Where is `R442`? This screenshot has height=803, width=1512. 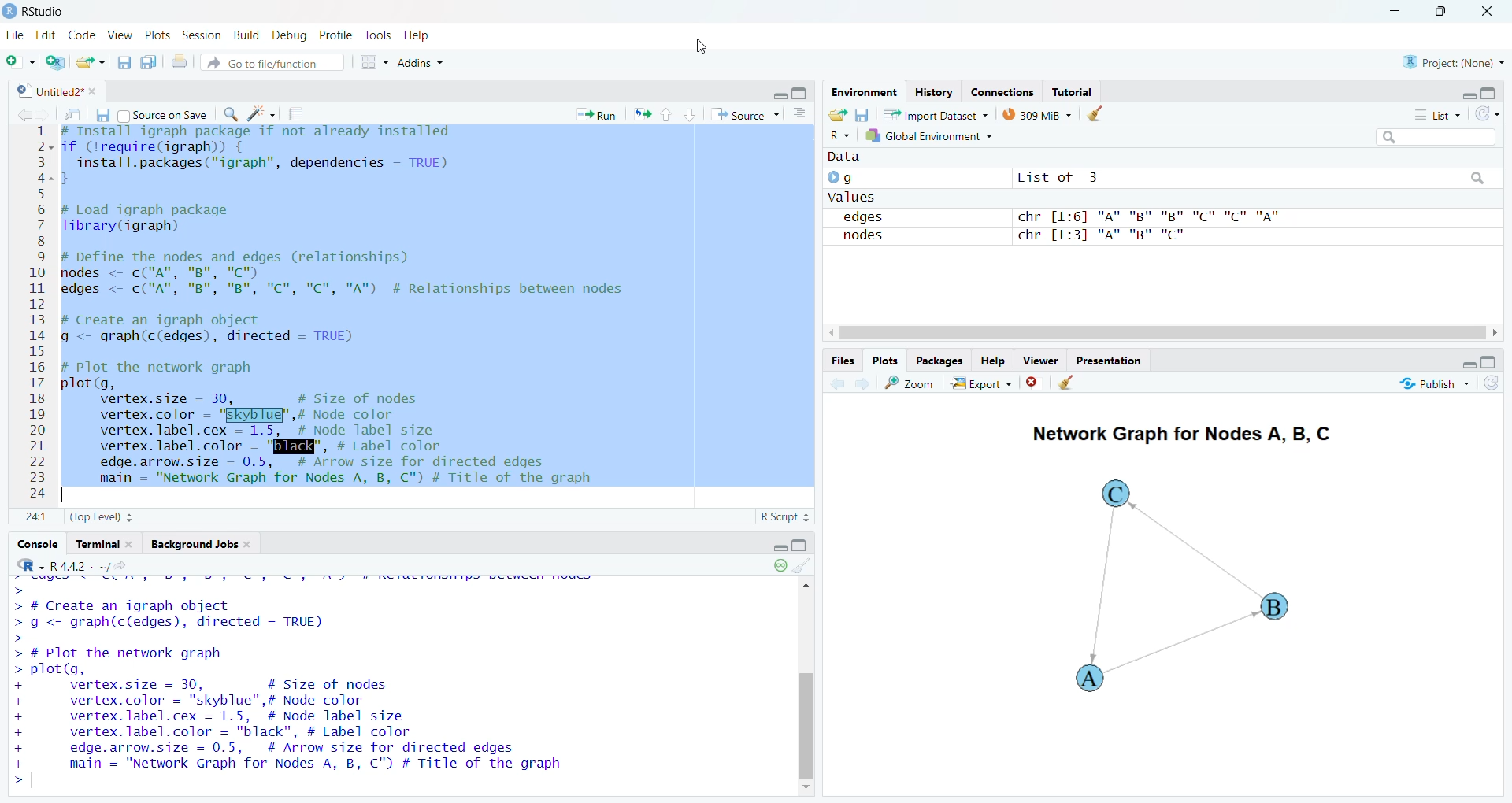
R442 is located at coordinates (69, 564).